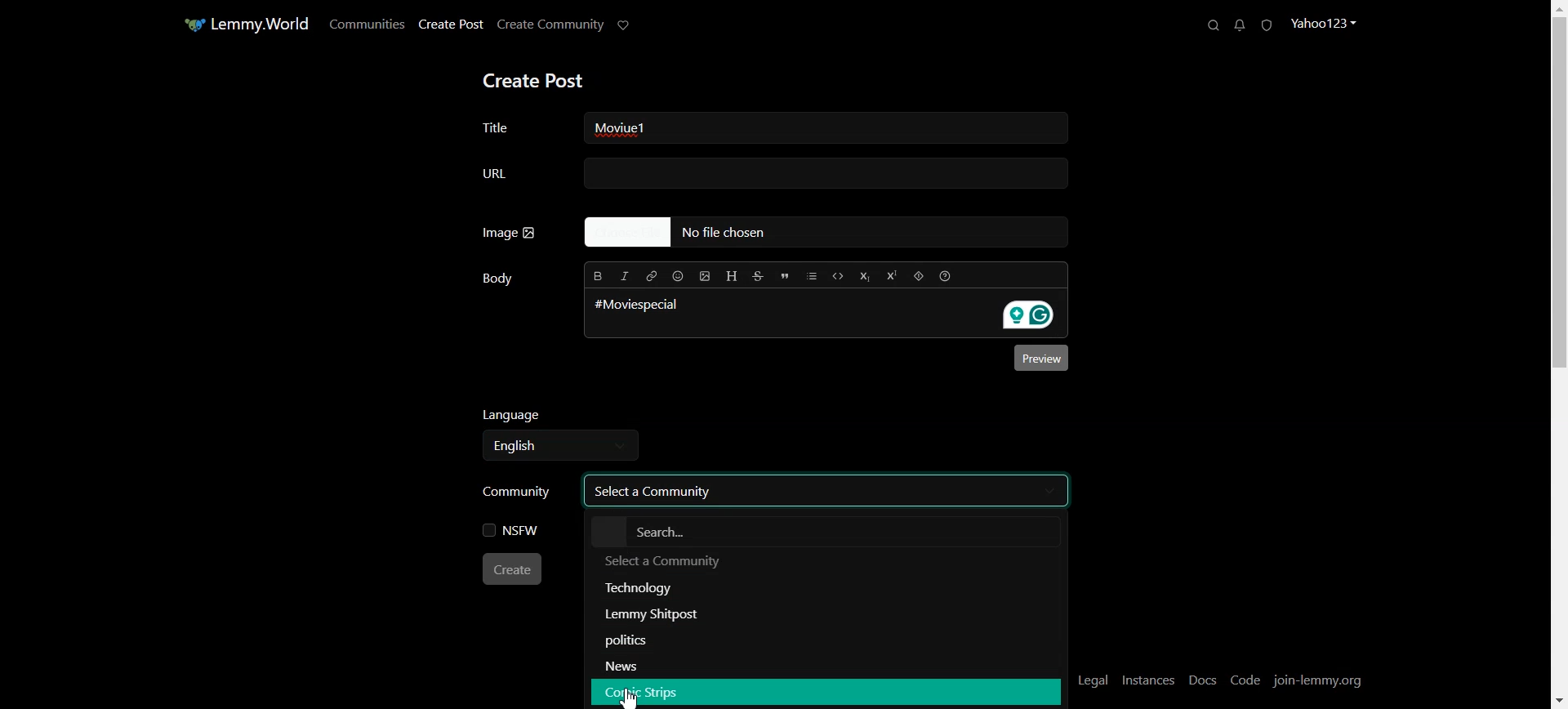  What do you see at coordinates (756, 274) in the screenshot?
I see `Strikethrough` at bounding box center [756, 274].